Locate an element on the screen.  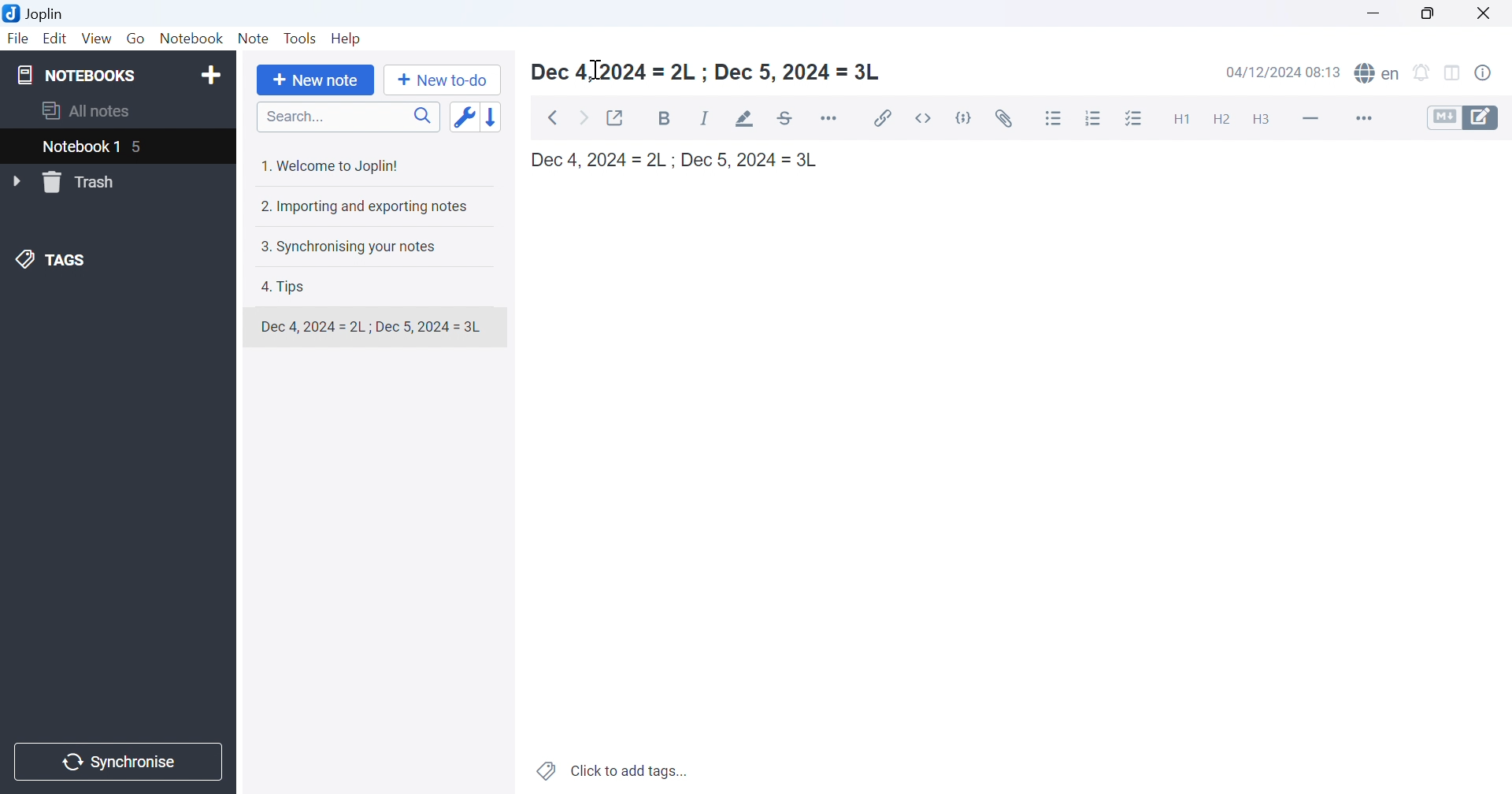
1. Welcome to Joplin! is located at coordinates (333, 163).